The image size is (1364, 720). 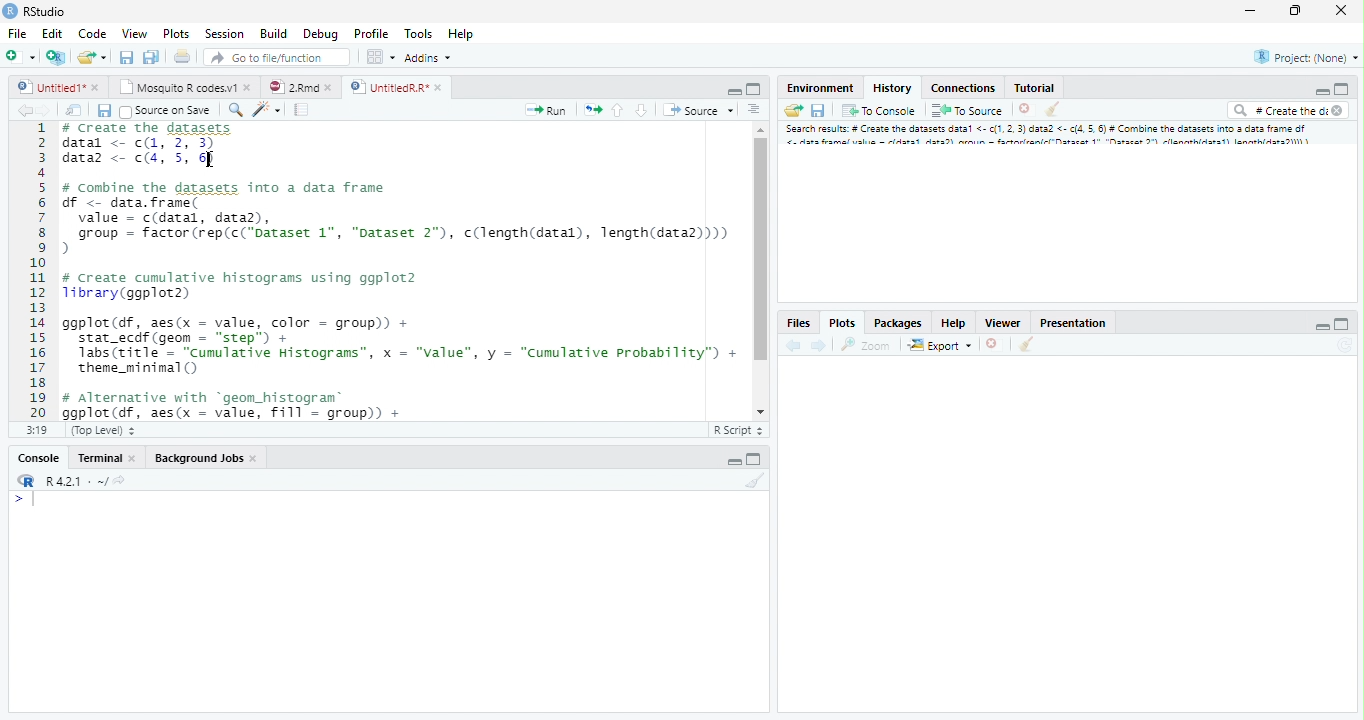 What do you see at coordinates (733, 461) in the screenshot?
I see `Minimize` at bounding box center [733, 461].